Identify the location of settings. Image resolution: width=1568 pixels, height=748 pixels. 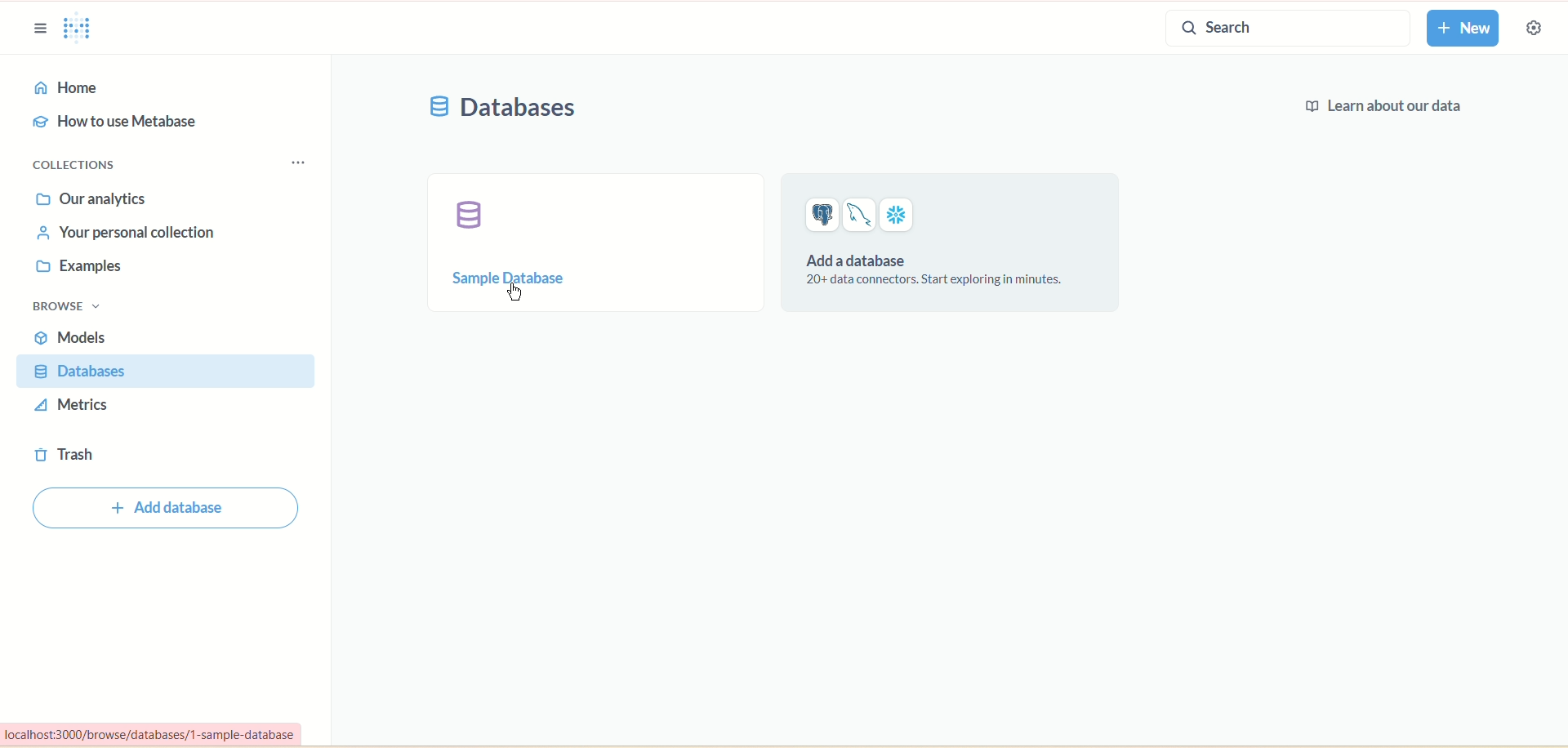
(1542, 30).